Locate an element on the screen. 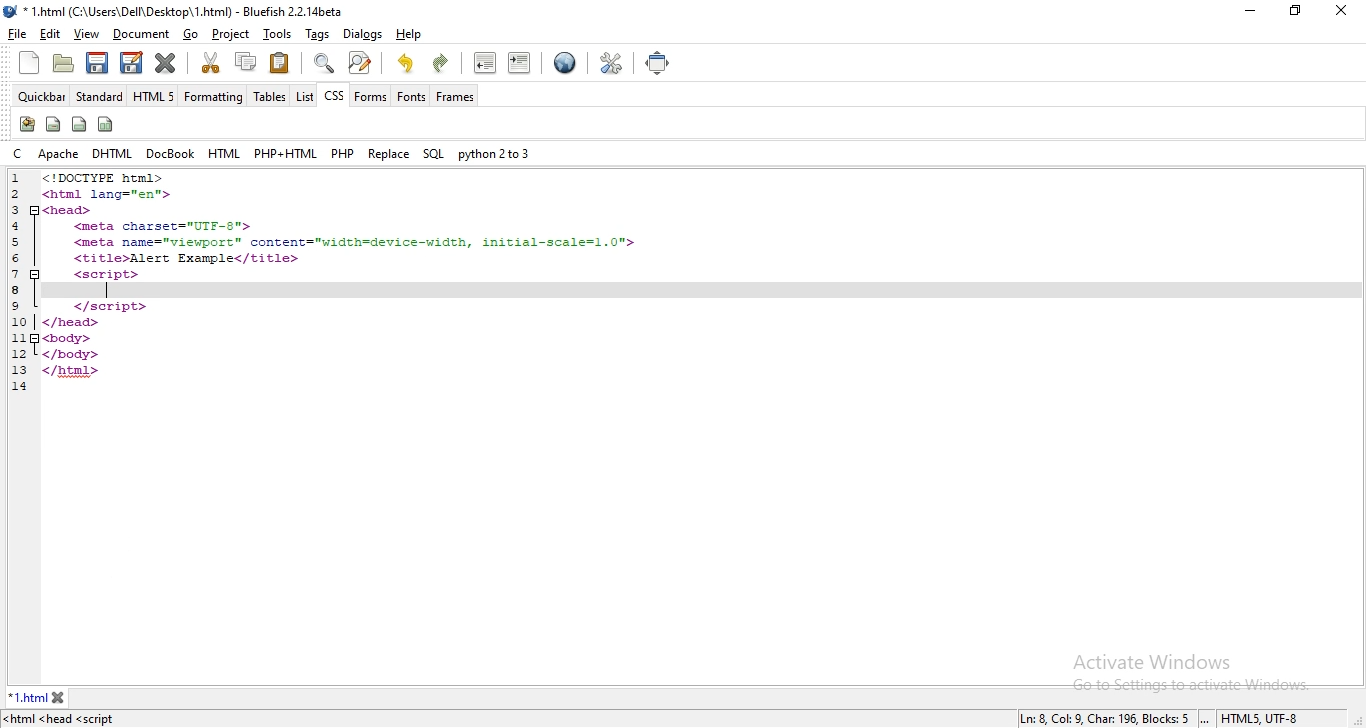  13 is located at coordinates (19, 371).